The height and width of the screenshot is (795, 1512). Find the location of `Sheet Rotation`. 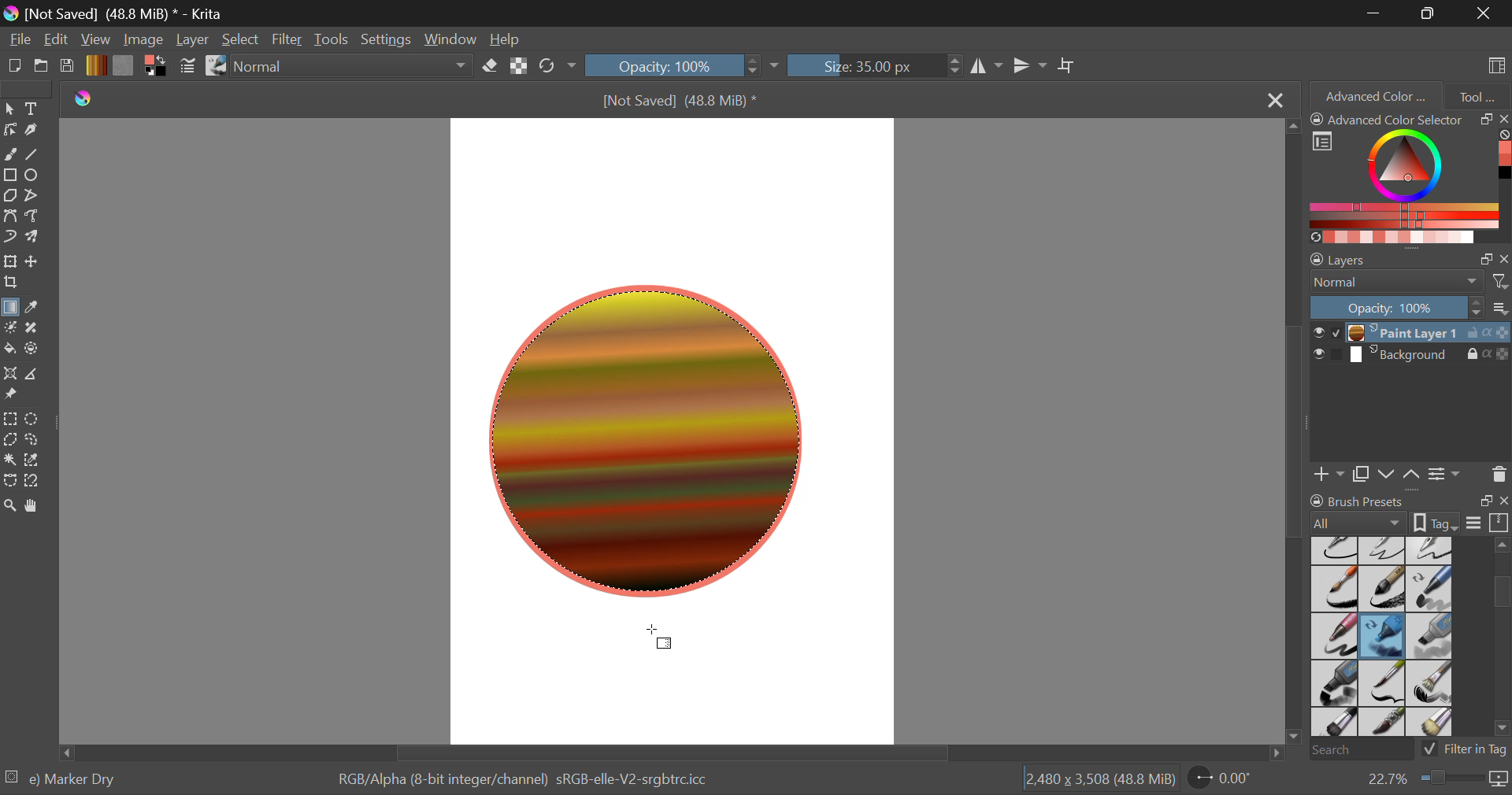

Sheet Rotation is located at coordinates (1228, 778).